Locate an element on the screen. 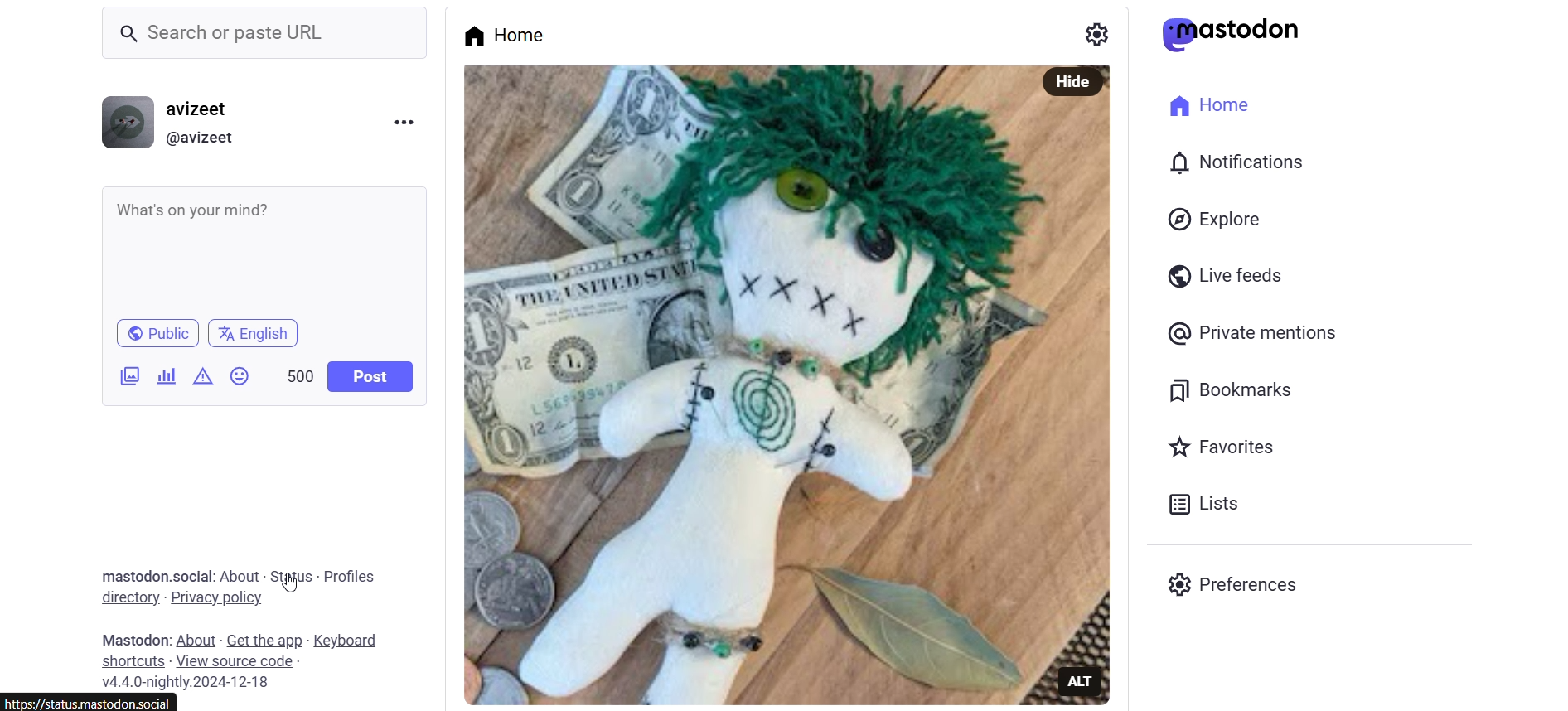  home is located at coordinates (513, 39).